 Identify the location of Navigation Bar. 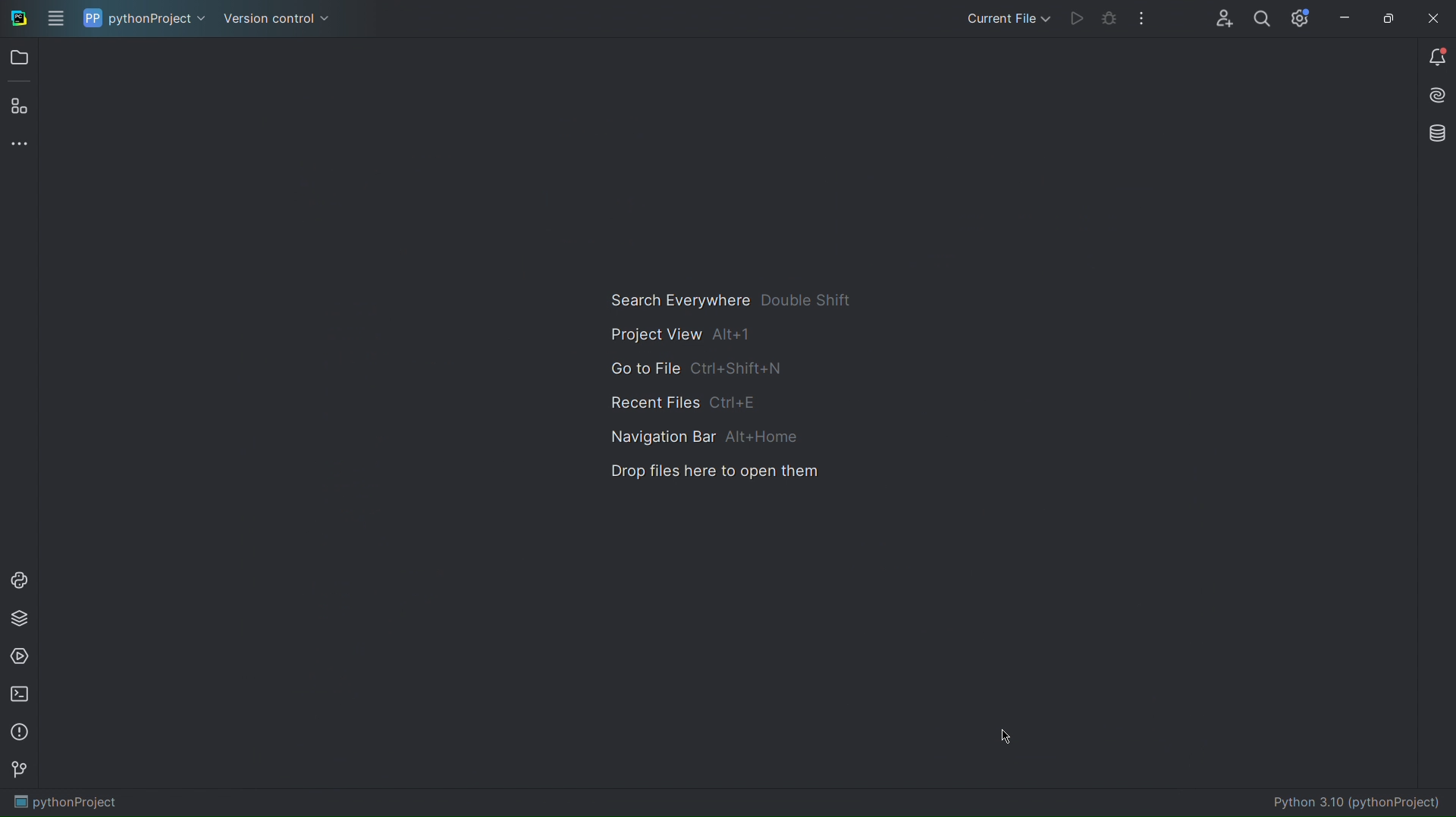
(696, 436).